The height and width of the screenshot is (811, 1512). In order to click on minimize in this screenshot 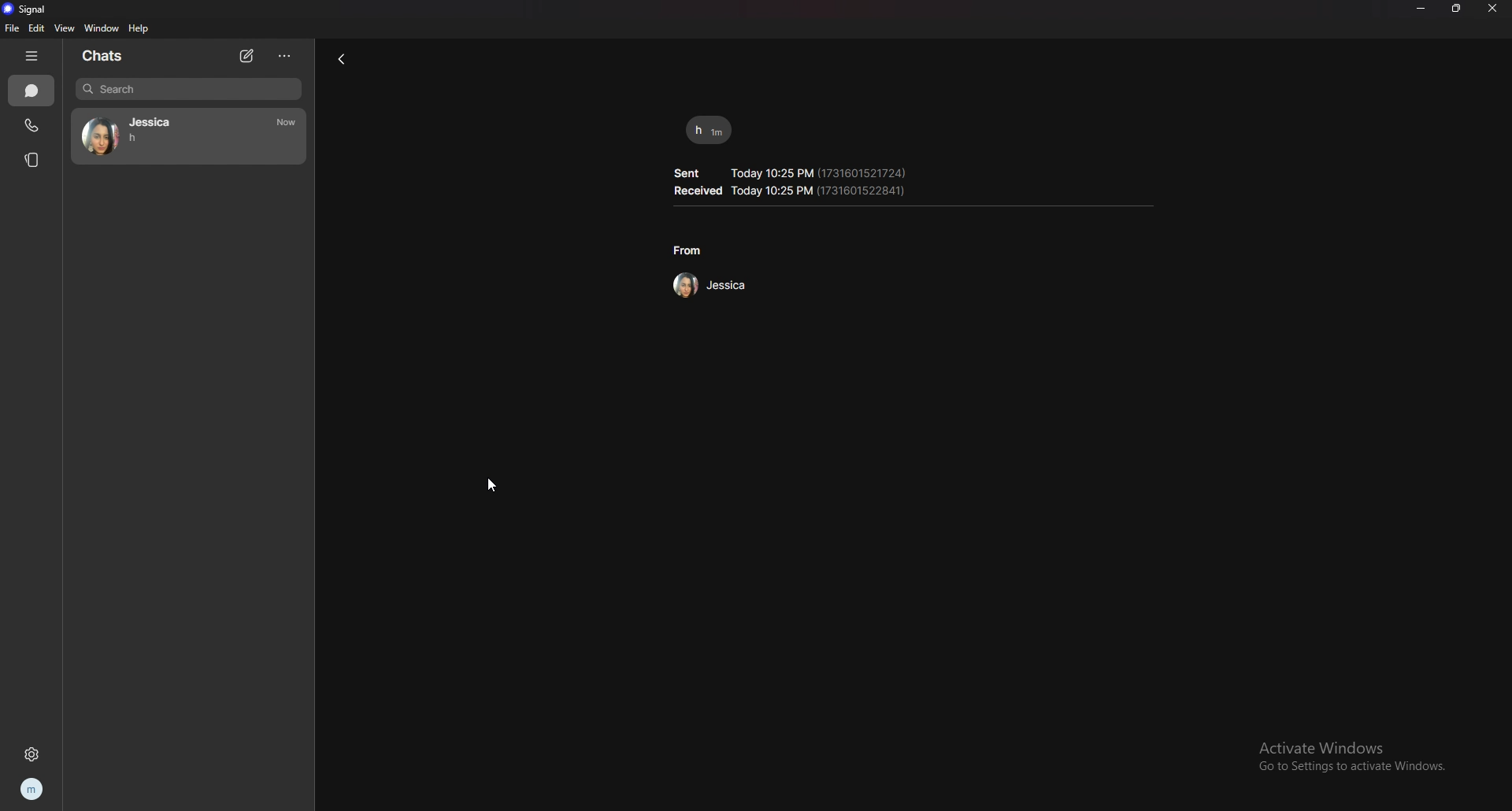, I will do `click(1421, 8)`.